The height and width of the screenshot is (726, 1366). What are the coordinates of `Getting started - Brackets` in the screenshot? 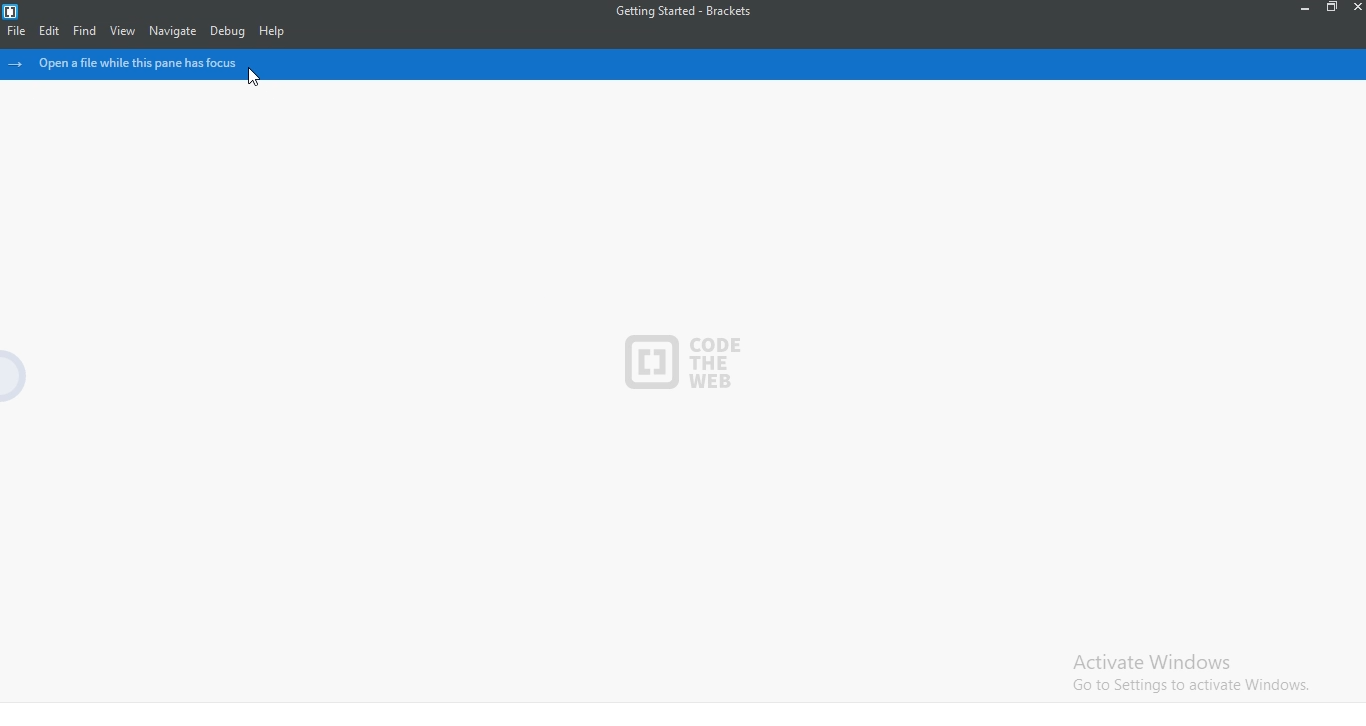 It's located at (700, 11).